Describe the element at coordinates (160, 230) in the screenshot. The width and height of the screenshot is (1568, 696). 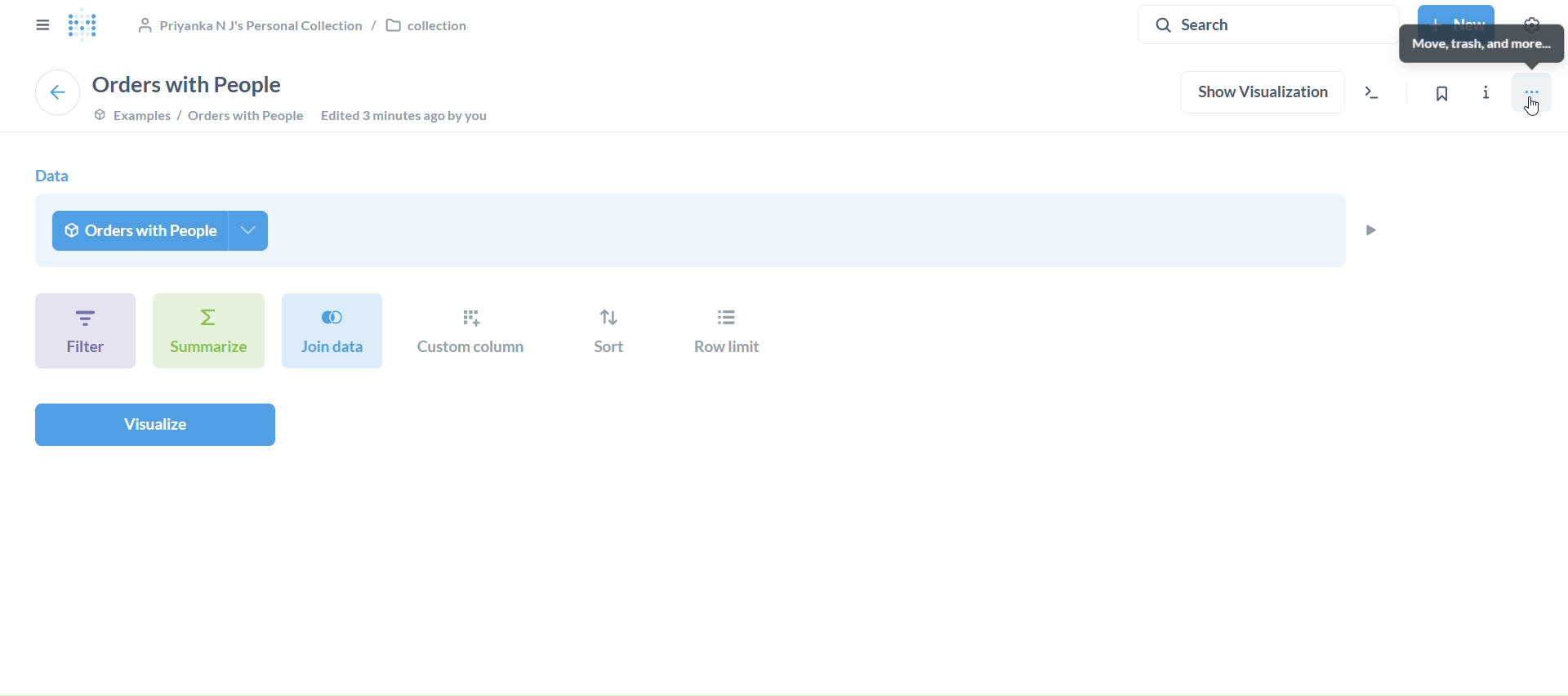
I see `orders with people` at that location.